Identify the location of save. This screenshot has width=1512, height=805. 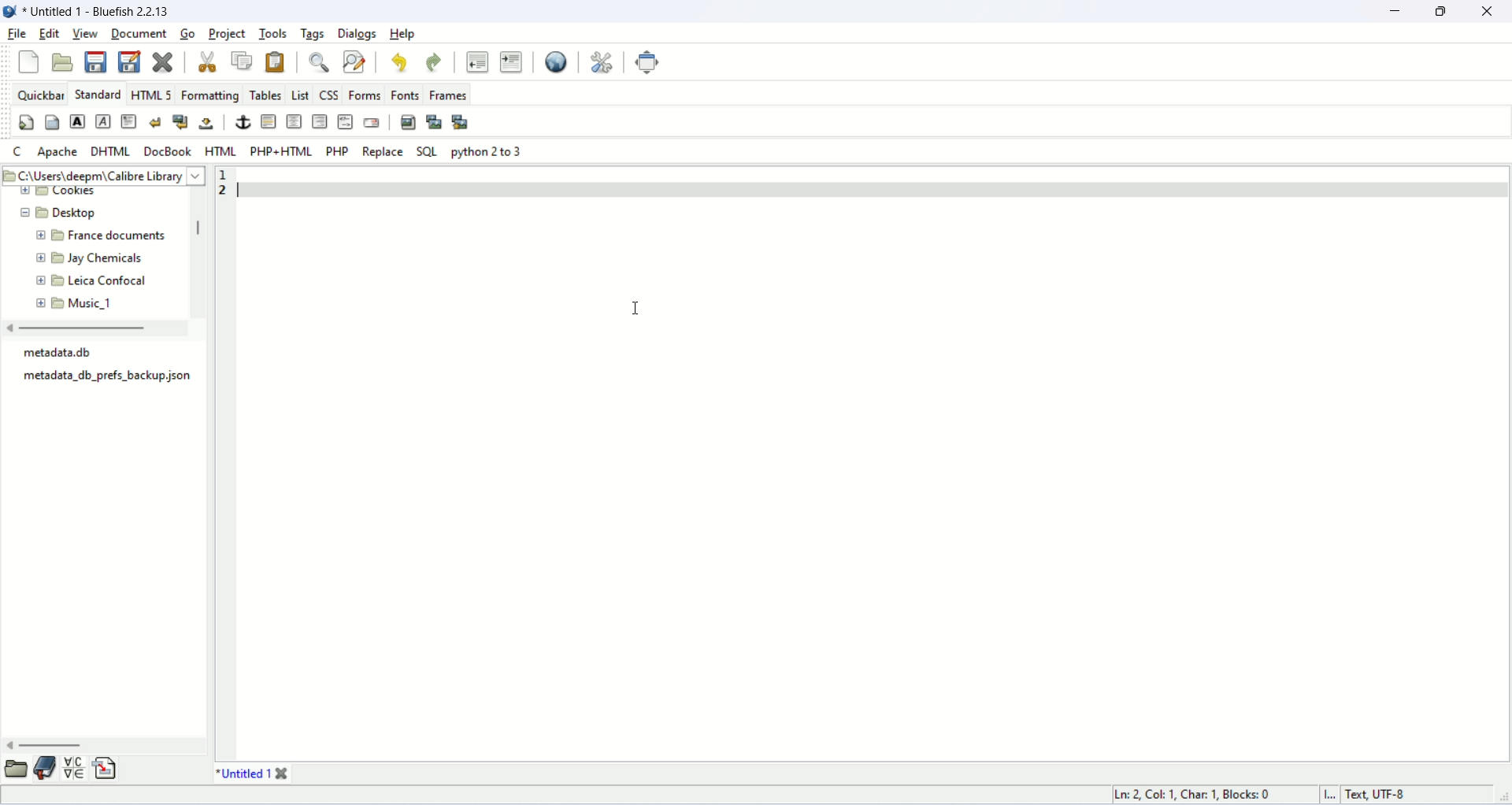
(95, 62).